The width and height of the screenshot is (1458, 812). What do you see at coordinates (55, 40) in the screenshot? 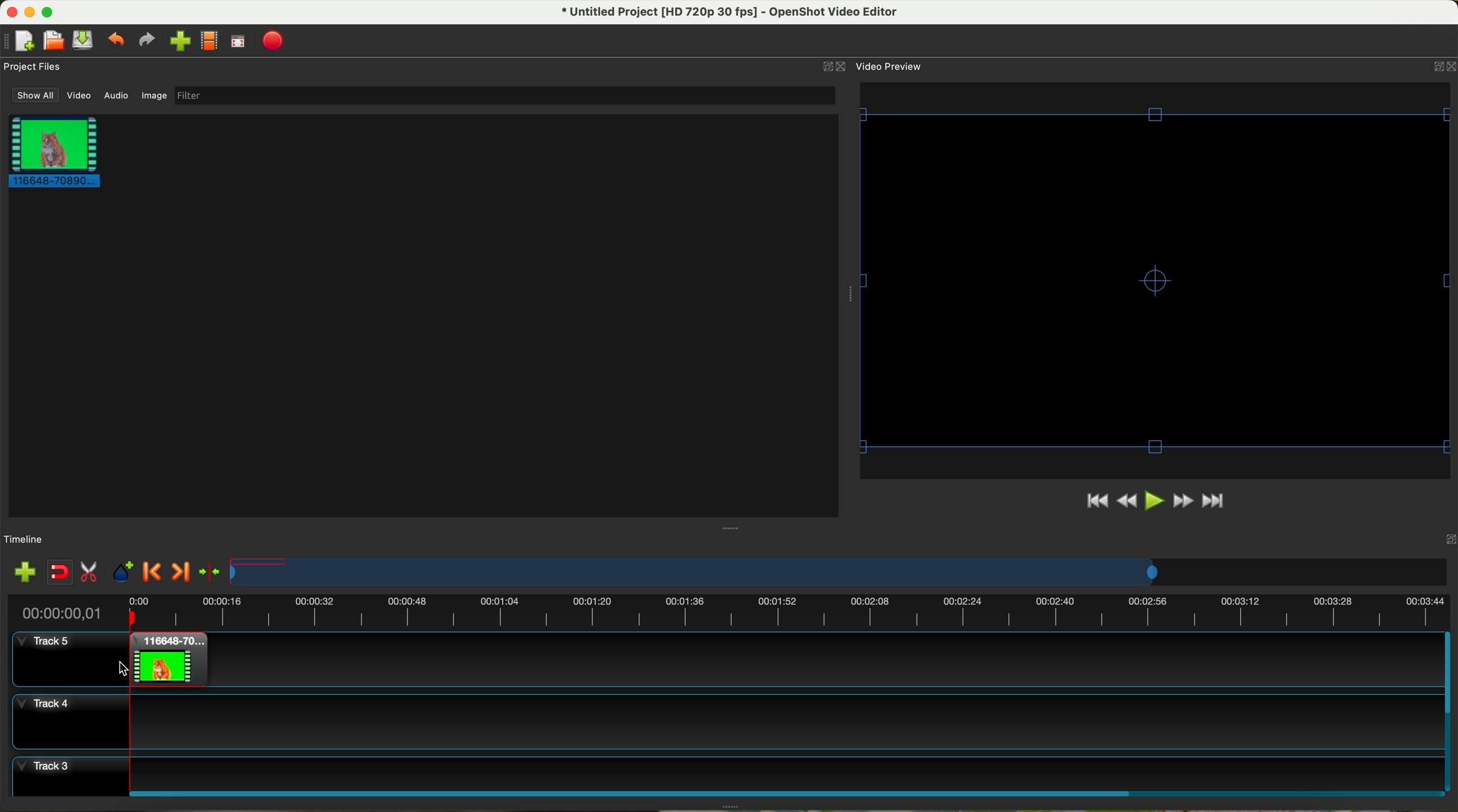
I see `open project` at bounding box center [55, 40].